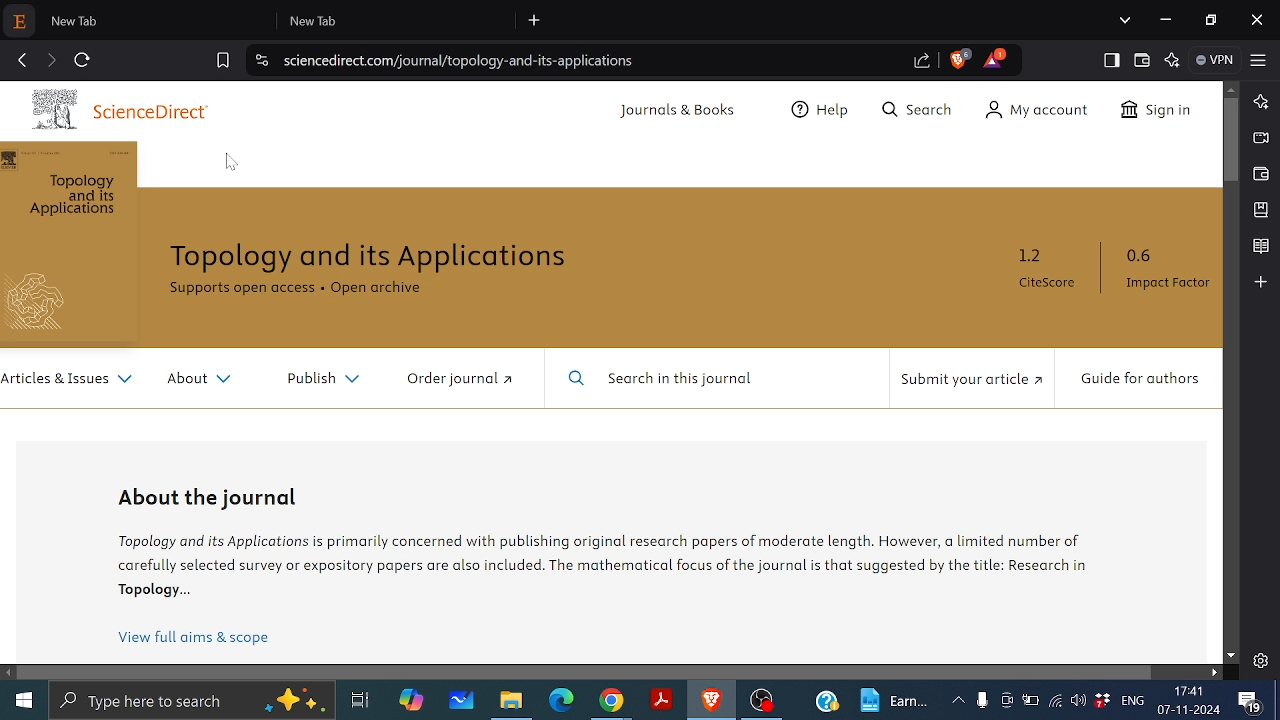 The height and width of the screenshot is (720, 1280). I want to click on White board, so click(459, 701).